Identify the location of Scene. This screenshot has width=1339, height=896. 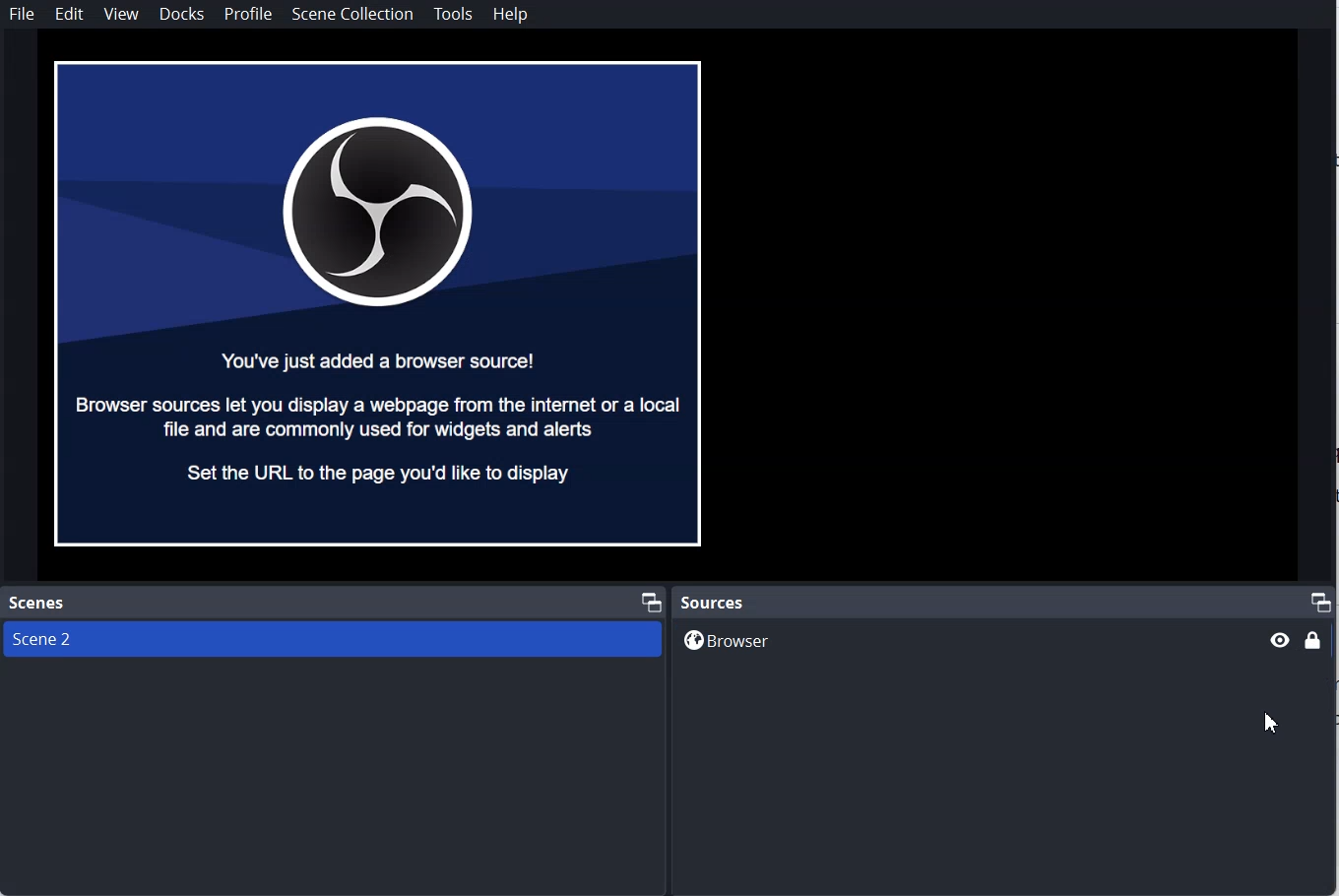
(332, 638).